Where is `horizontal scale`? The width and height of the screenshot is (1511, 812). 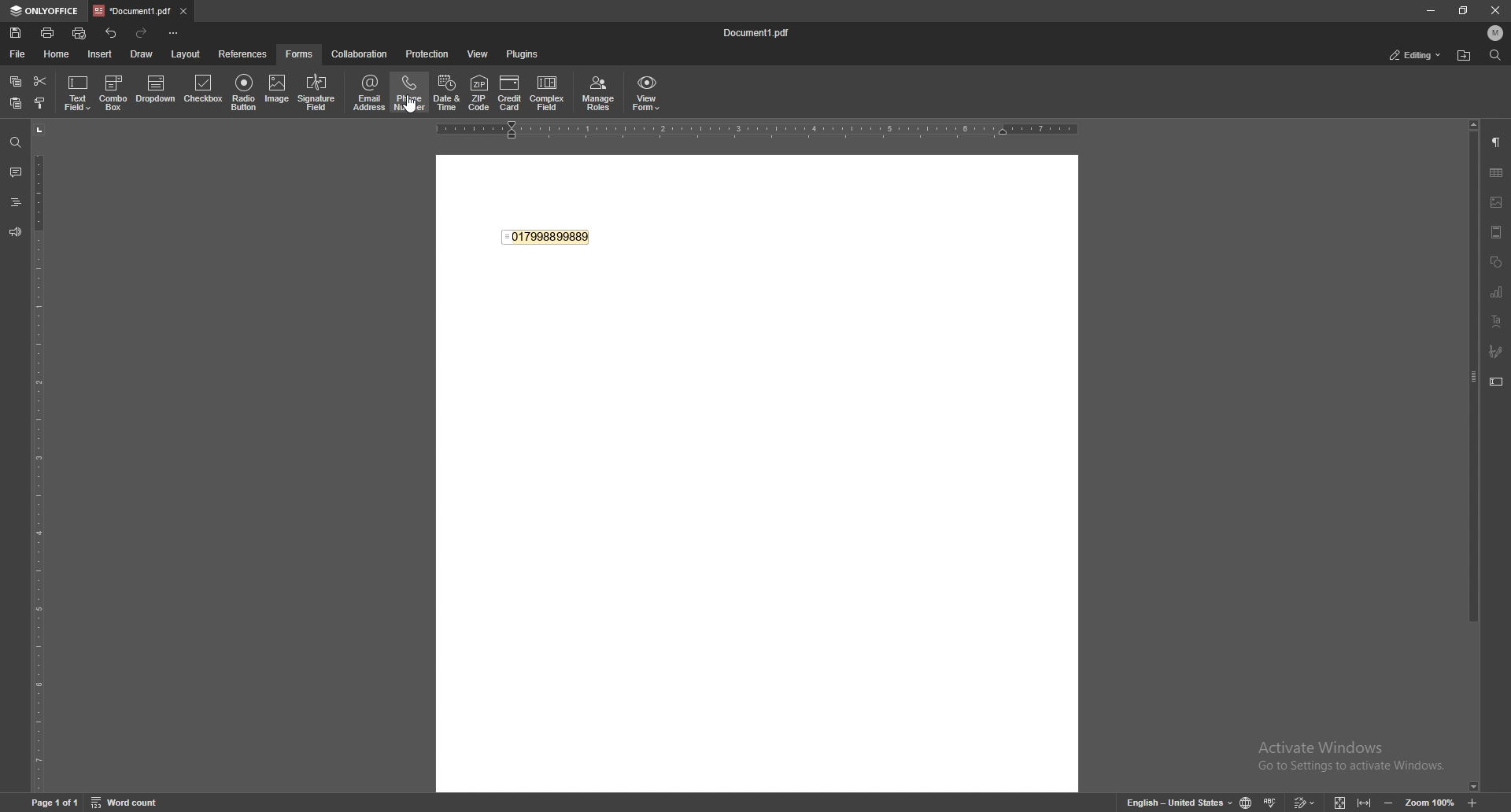 horizontal scale is located at coordinates (758, 129).